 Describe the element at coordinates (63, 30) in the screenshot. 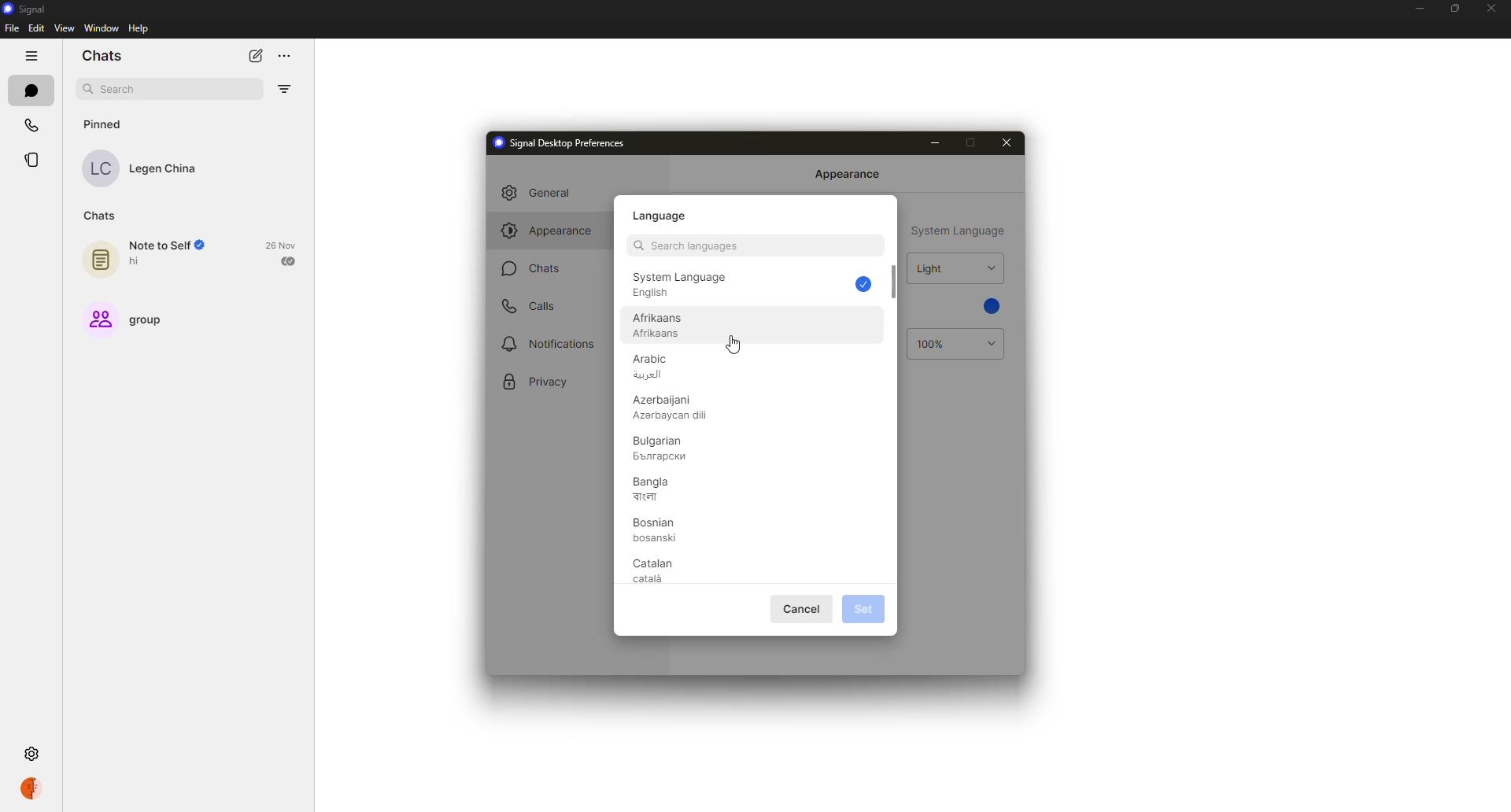

I see `view` at that location.